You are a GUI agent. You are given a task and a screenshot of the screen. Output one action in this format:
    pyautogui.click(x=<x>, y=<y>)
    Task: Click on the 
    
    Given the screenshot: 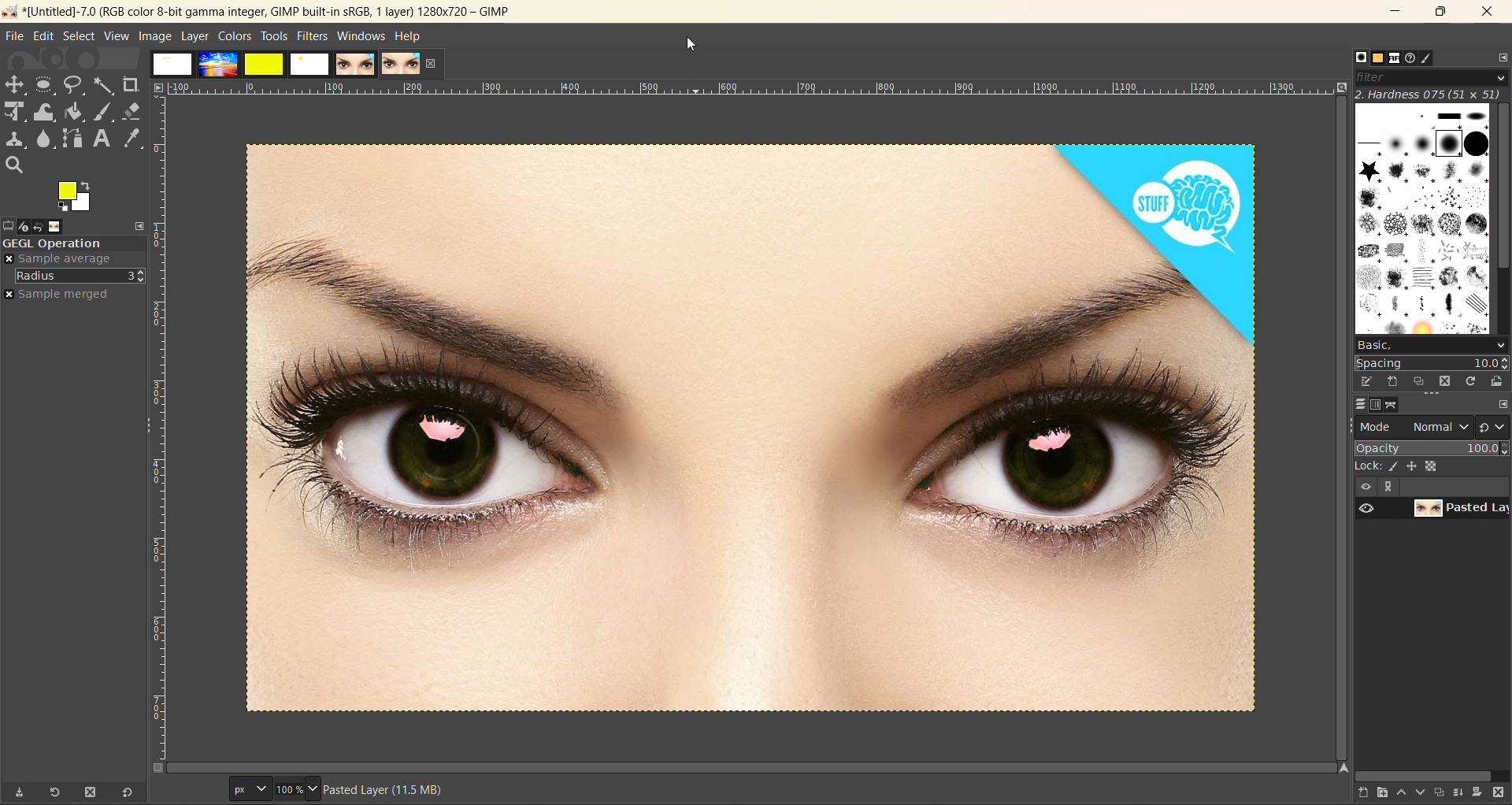 What is the action you would take?
    pyautogui.click(x=1350, y=54)
    